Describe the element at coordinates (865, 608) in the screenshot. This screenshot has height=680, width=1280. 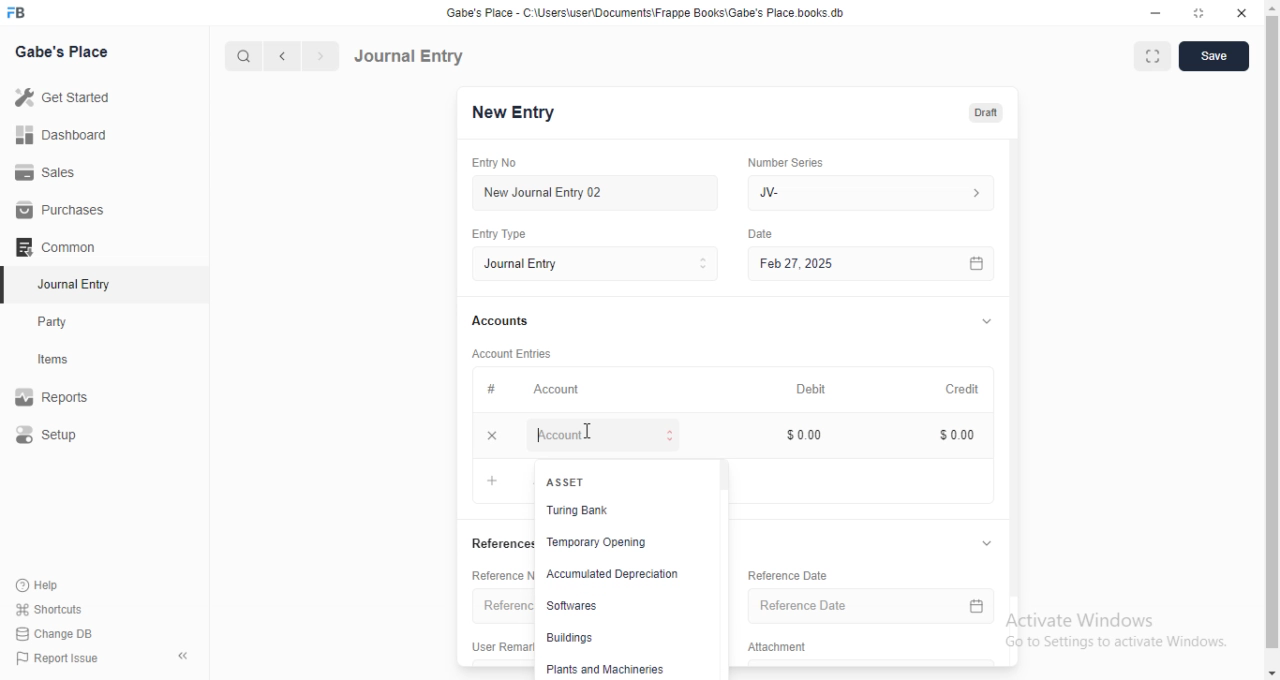
I see `Reference Date.` at that location.